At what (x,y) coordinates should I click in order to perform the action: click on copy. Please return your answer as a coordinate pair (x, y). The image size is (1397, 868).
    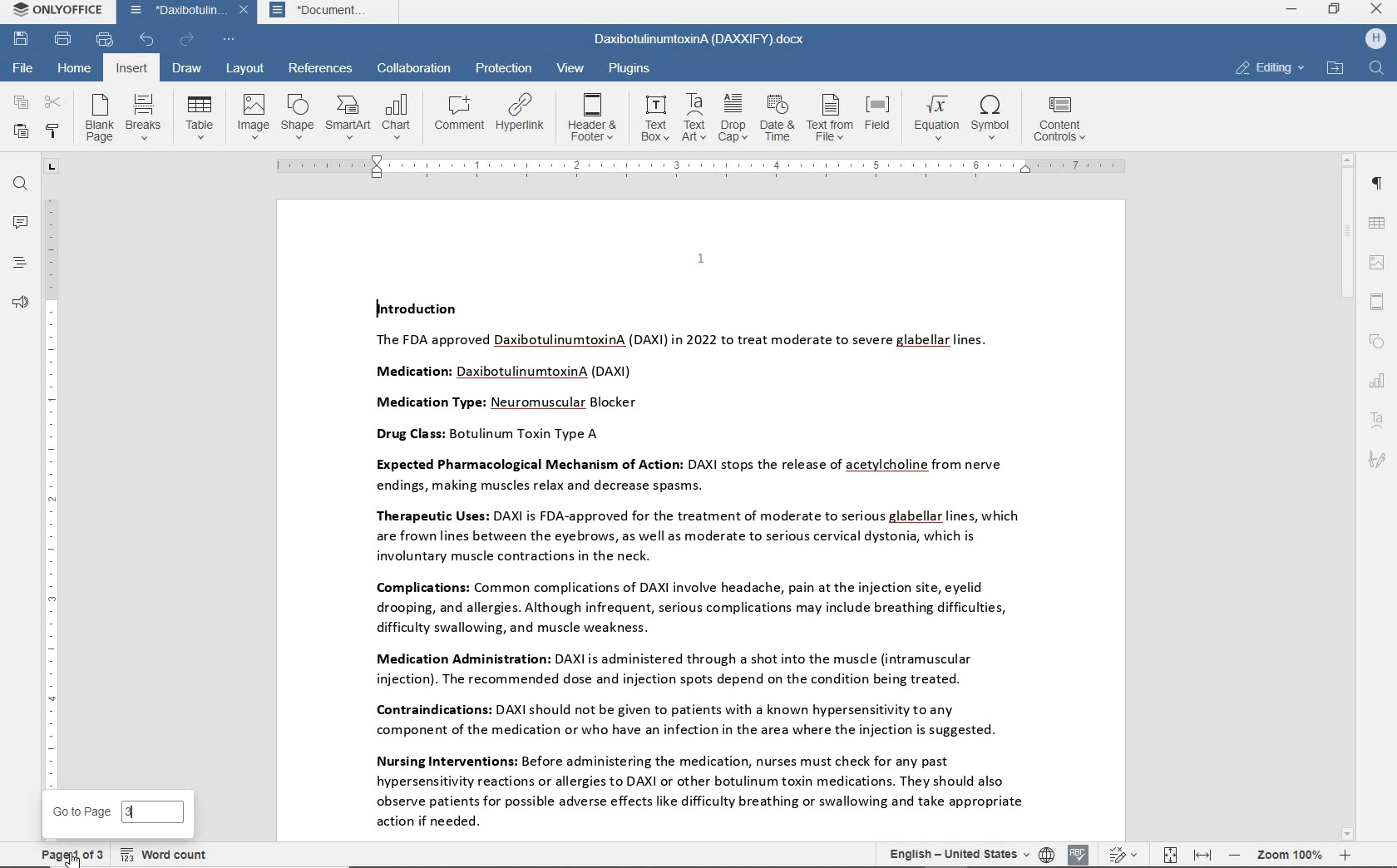
    Looking at the image, I should click on (18, 102).